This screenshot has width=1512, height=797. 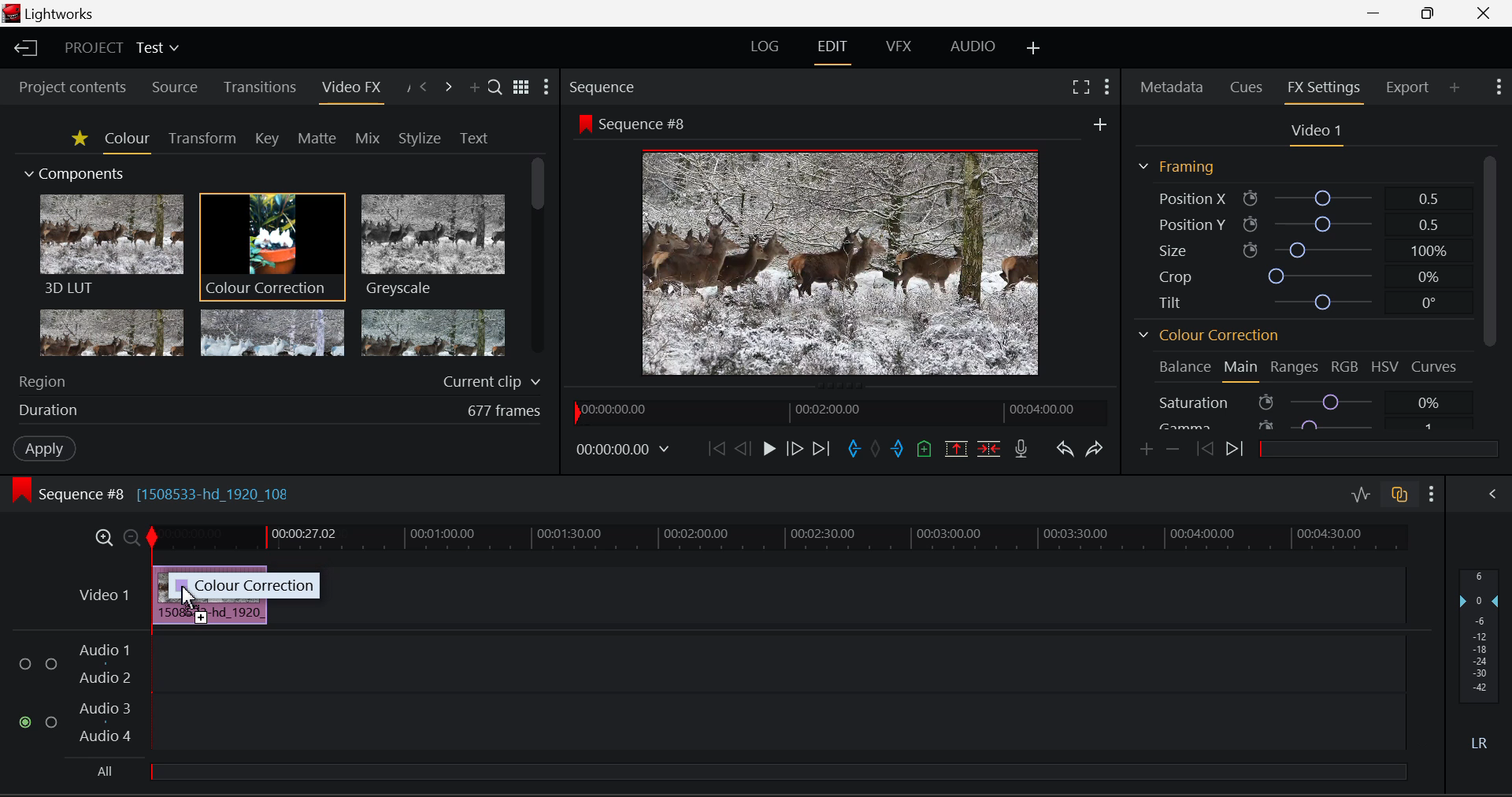 What do you see at coordinates (1204, 450) in the screenshot?
I see `Previous keyframe` at bounding box center [1204, 450].